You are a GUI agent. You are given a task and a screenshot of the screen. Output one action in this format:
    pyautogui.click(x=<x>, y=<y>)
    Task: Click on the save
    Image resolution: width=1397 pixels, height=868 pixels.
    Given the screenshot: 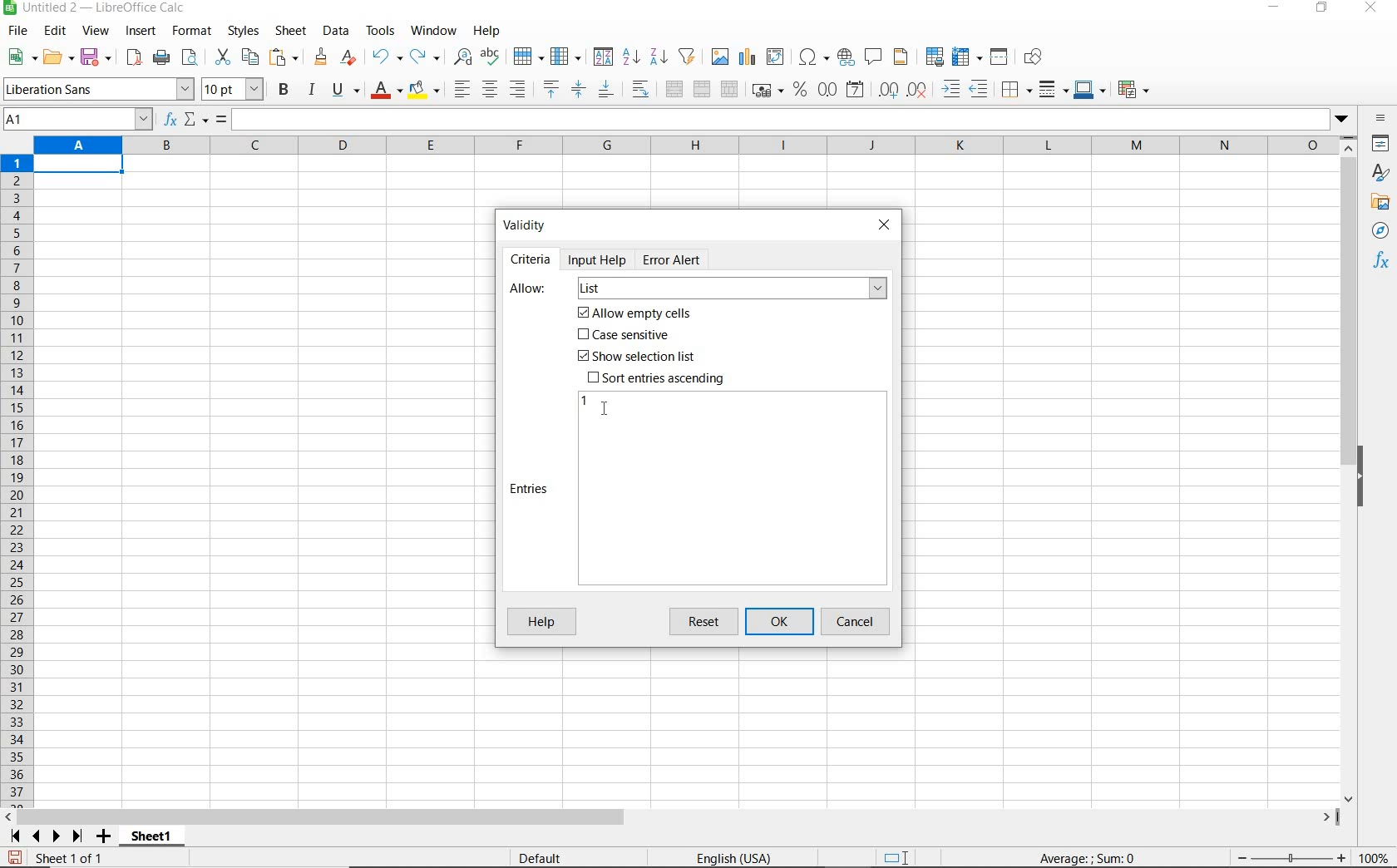 What is the action you would take?
    pyautogui.click(x=15, y=858)
    